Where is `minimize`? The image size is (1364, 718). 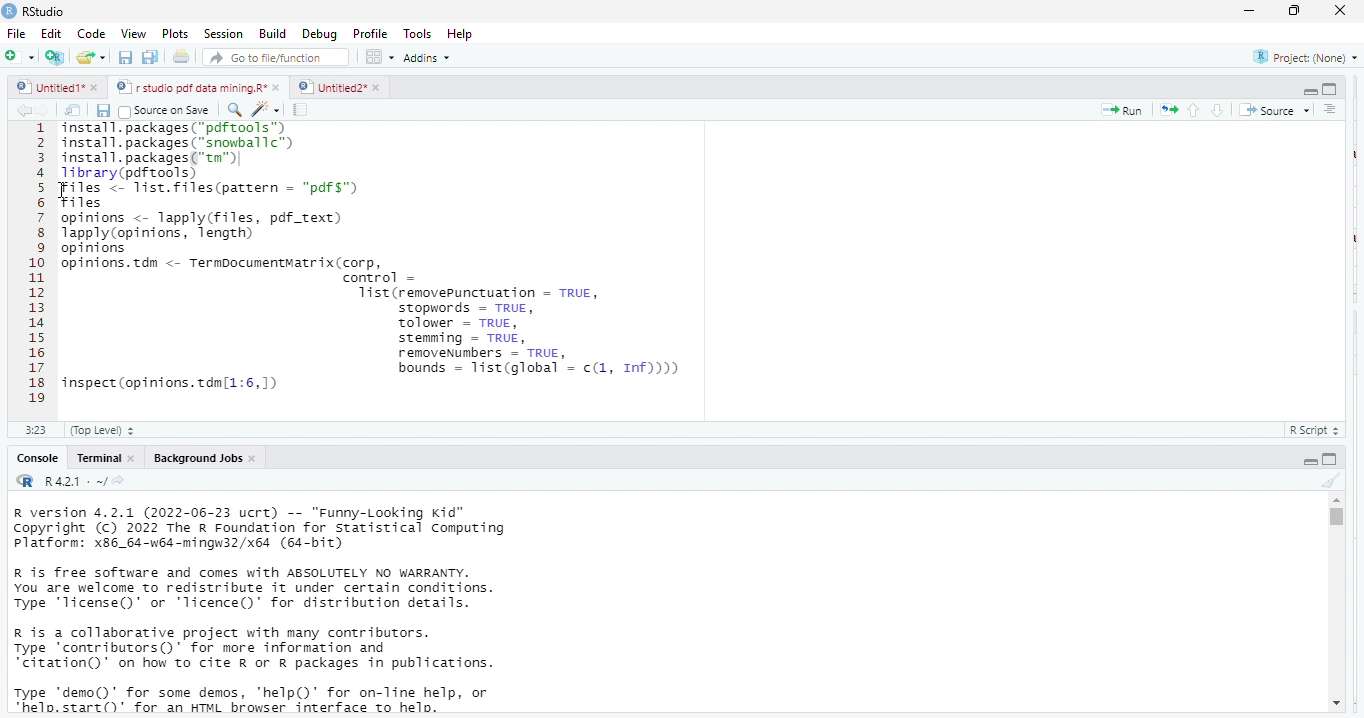
minimize is located at coordinates (1249, 10).